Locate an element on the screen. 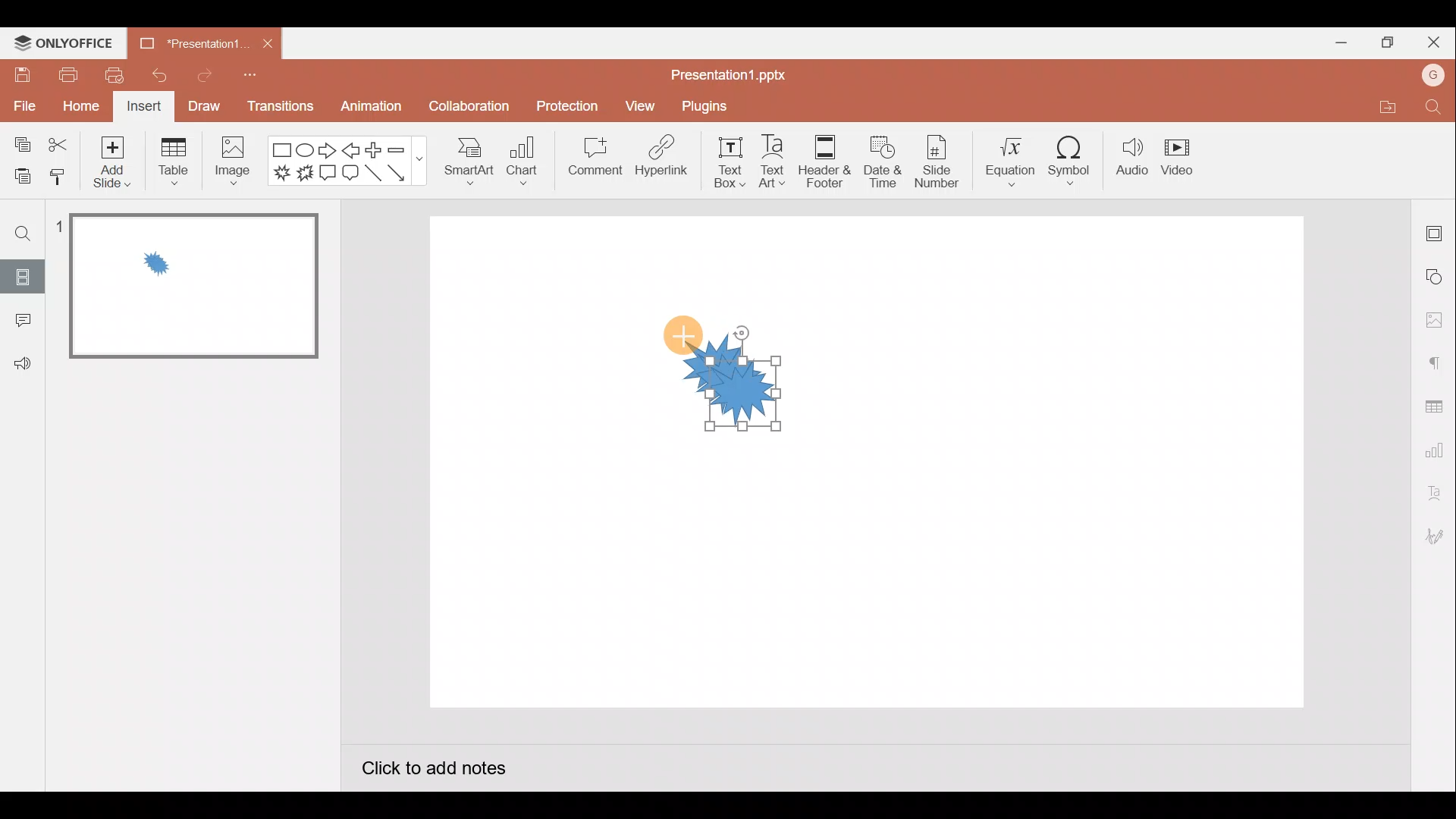  Plus is located at coordinates (372, 150).